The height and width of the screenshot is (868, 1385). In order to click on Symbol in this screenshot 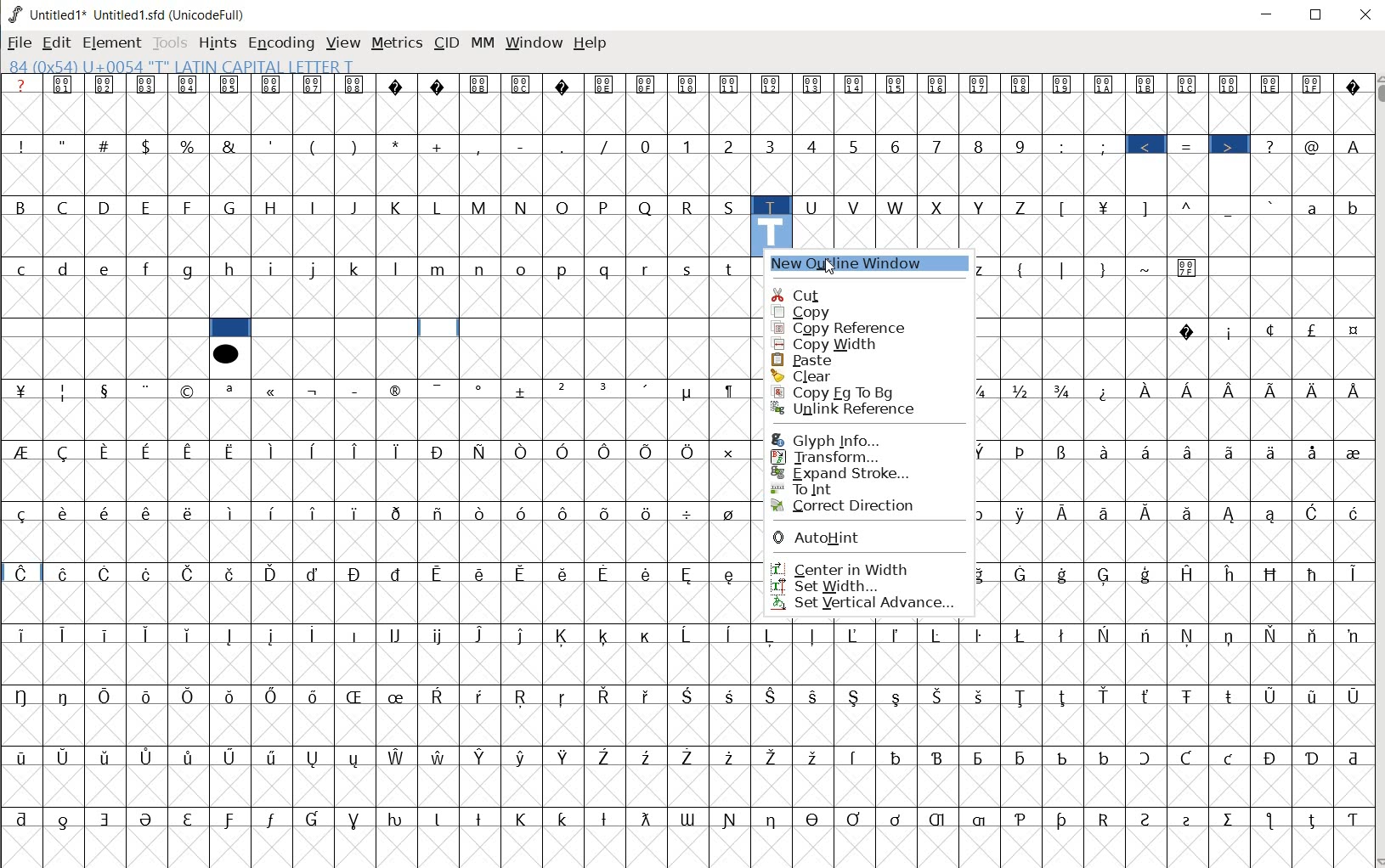, I will do `click(940, 634)`.